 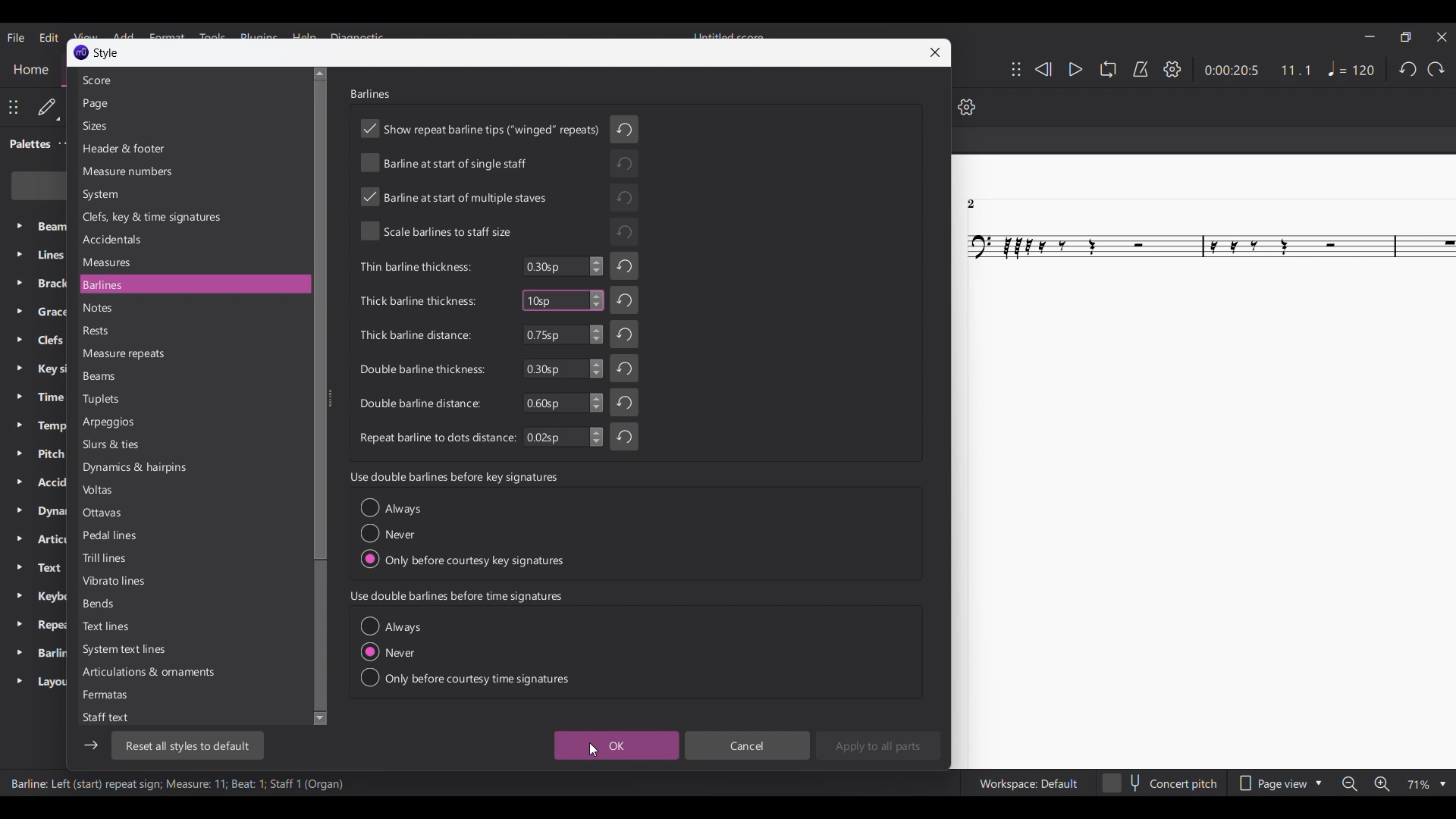 What do you see at coordinates (30, 71) in the screenshot?
I see `Home` at bounding box center [30, 71].